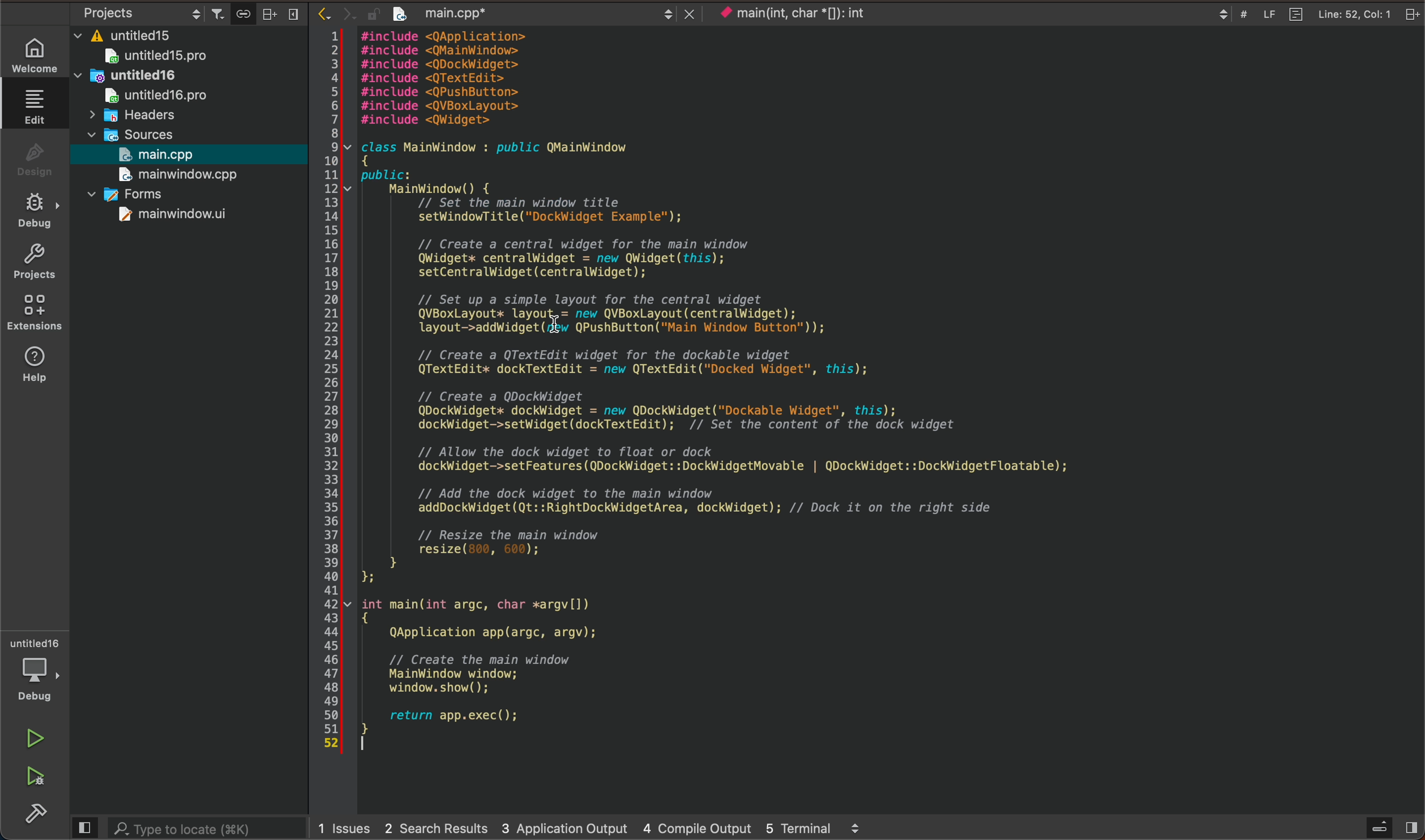 This screenshot has width=1425, height=840. I want to click on cursor, so click(553, 312).